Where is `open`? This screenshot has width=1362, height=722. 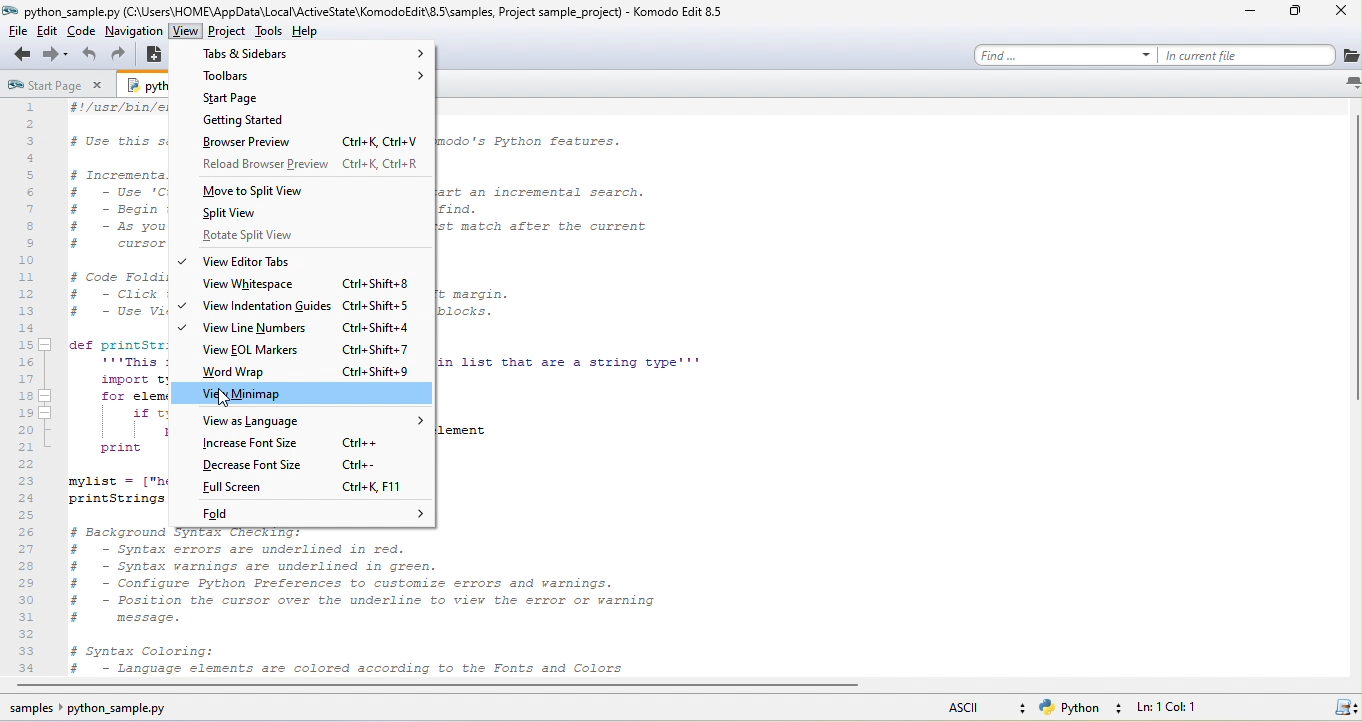
open is located at coordinates (178, 58).